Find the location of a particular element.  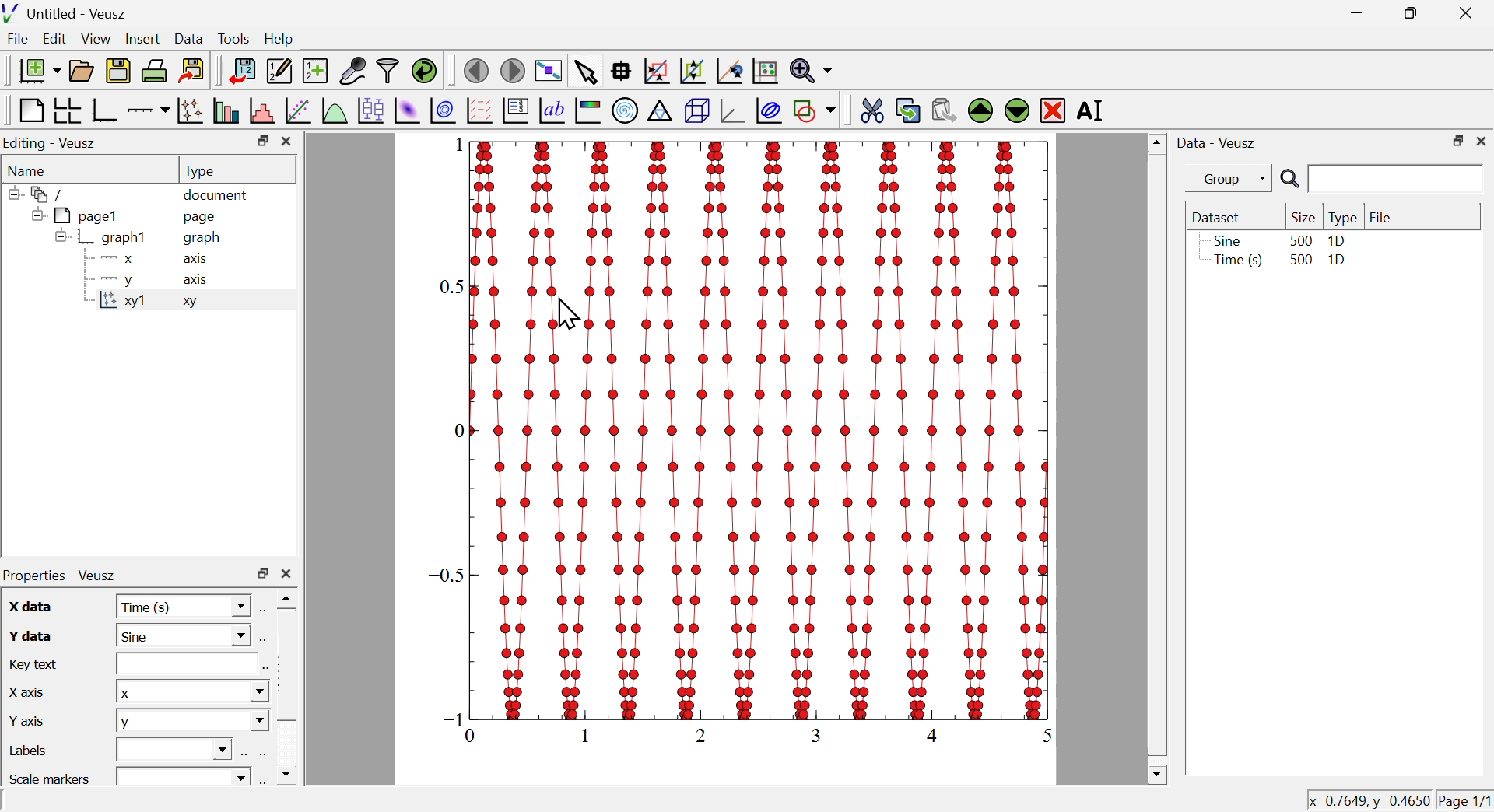

untitled - veusz is located at coordinates (67, 12).